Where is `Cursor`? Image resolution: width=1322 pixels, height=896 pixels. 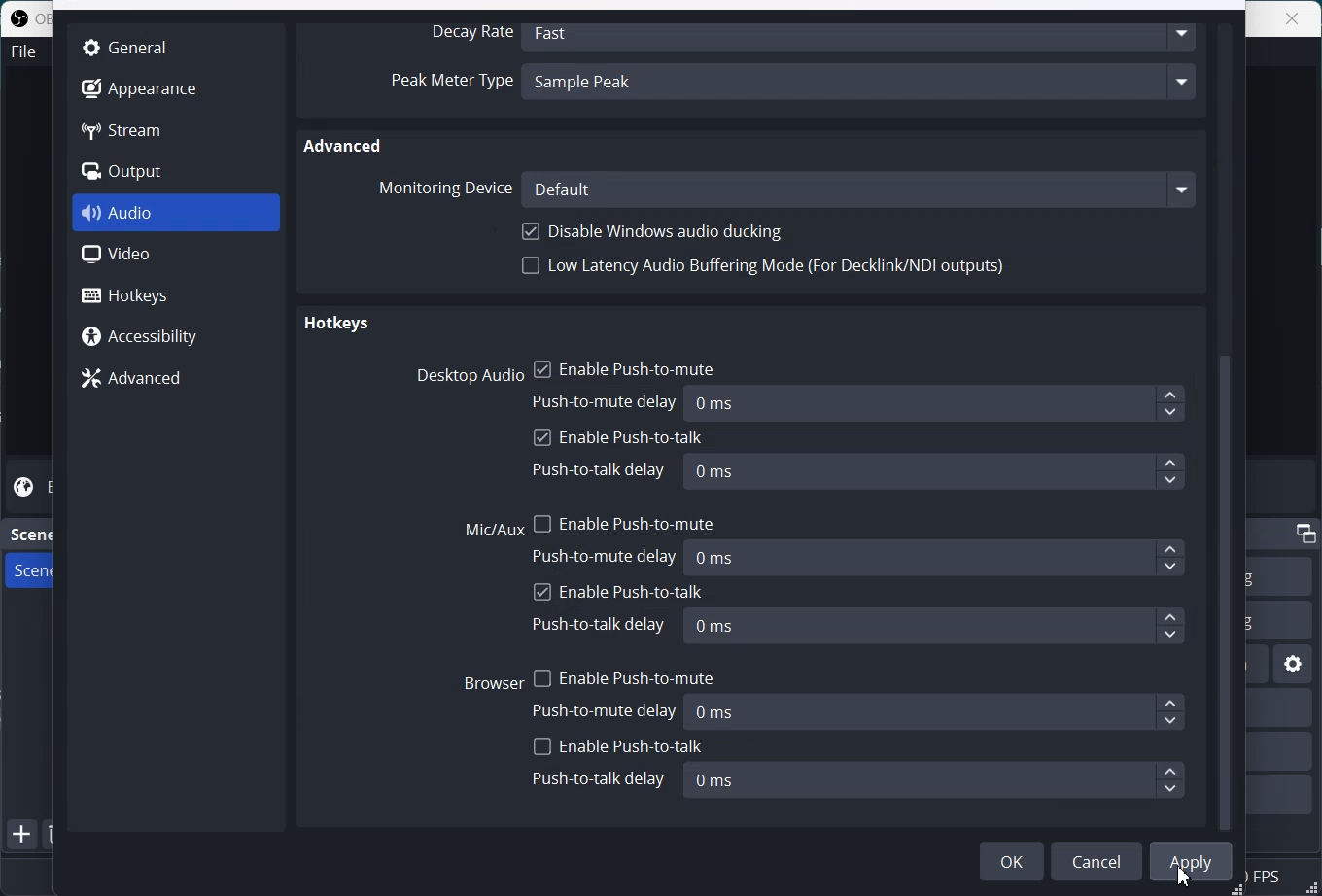
Cursor is located at coordinates (1186, 878).